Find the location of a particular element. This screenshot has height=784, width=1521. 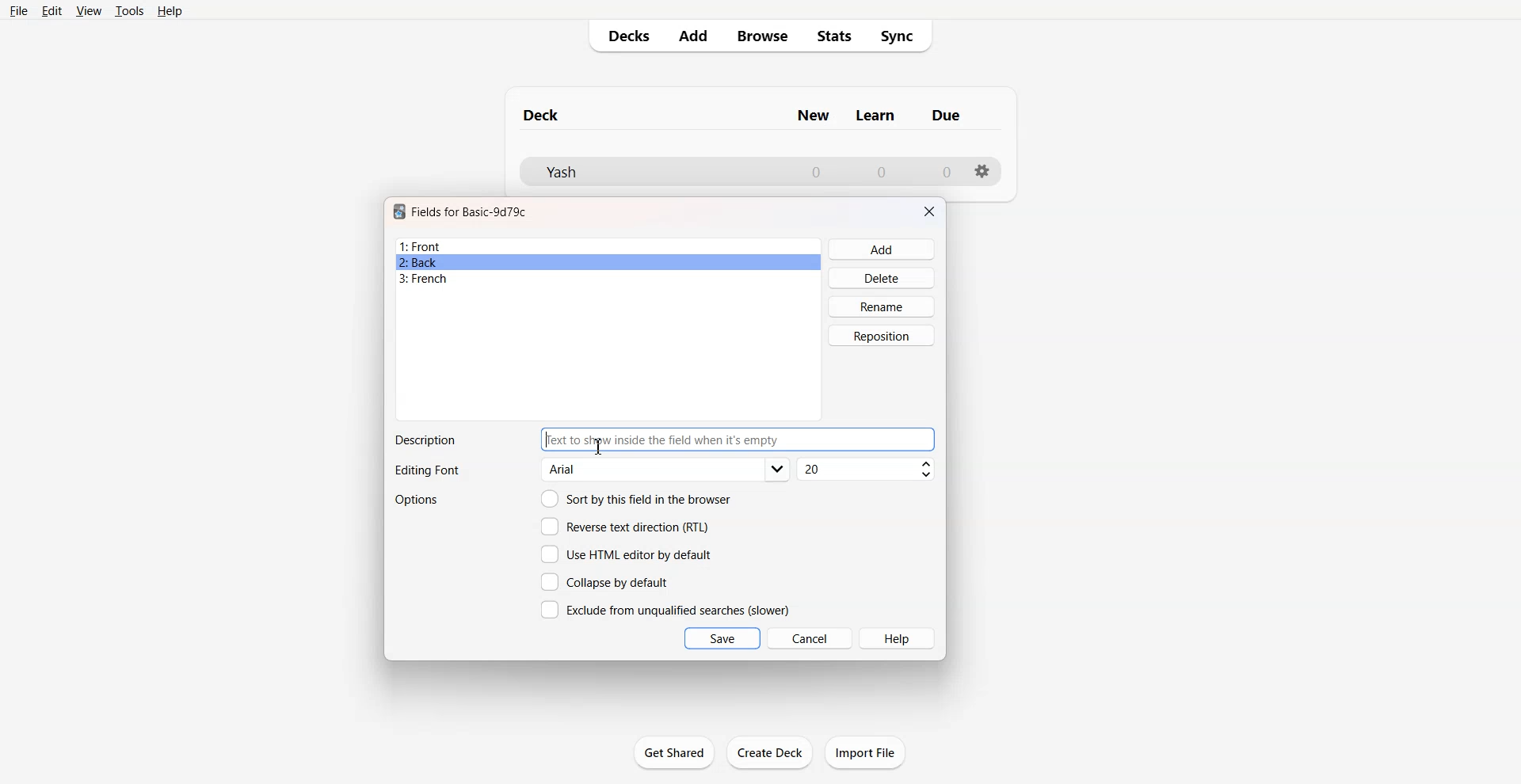

Help is located at coordinates (170, 11).